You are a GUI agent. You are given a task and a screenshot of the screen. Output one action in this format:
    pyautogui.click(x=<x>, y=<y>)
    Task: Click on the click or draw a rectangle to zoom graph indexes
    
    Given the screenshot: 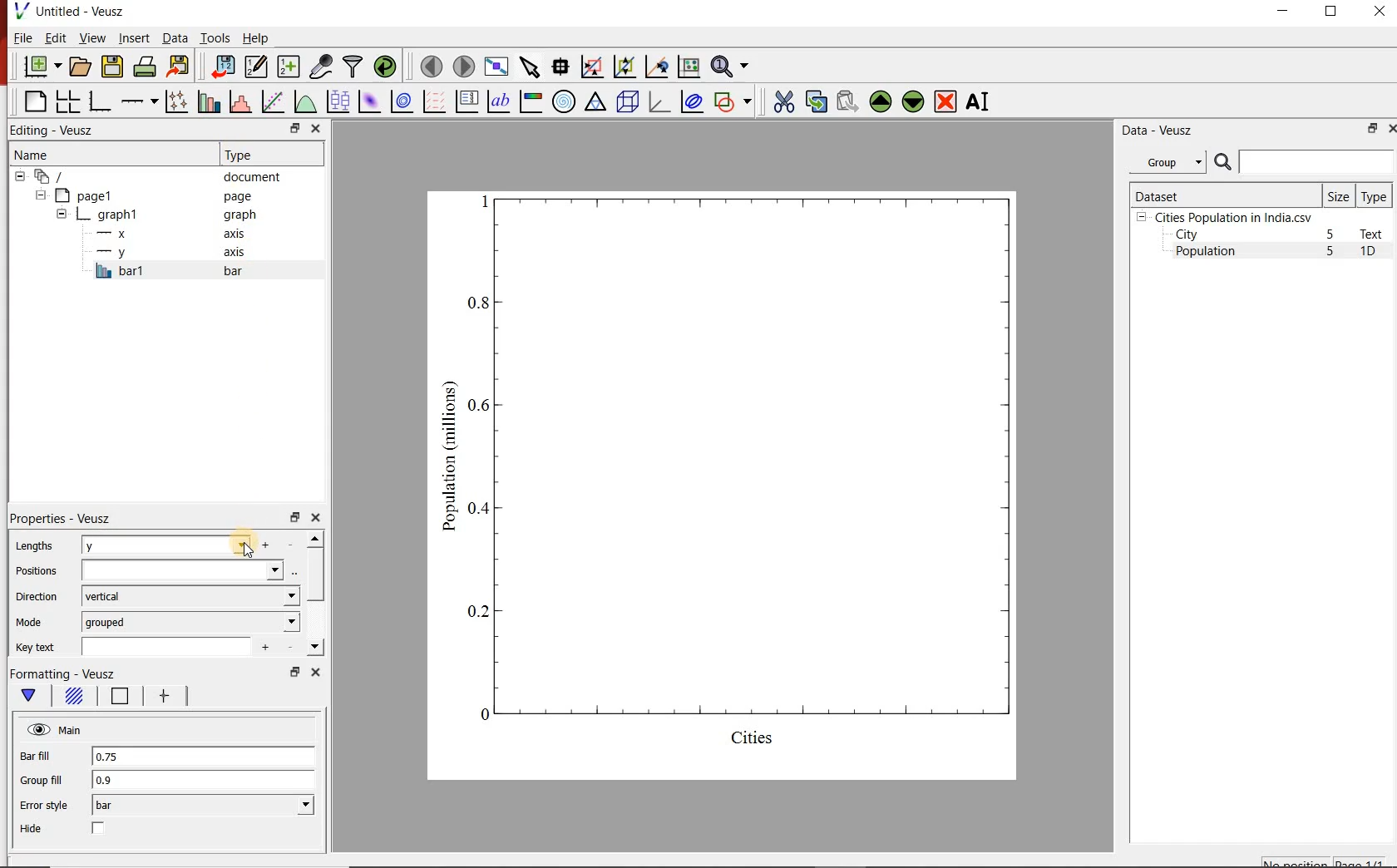 What is the action you would take?
    pyautogui.click(x=590, y=66)
    